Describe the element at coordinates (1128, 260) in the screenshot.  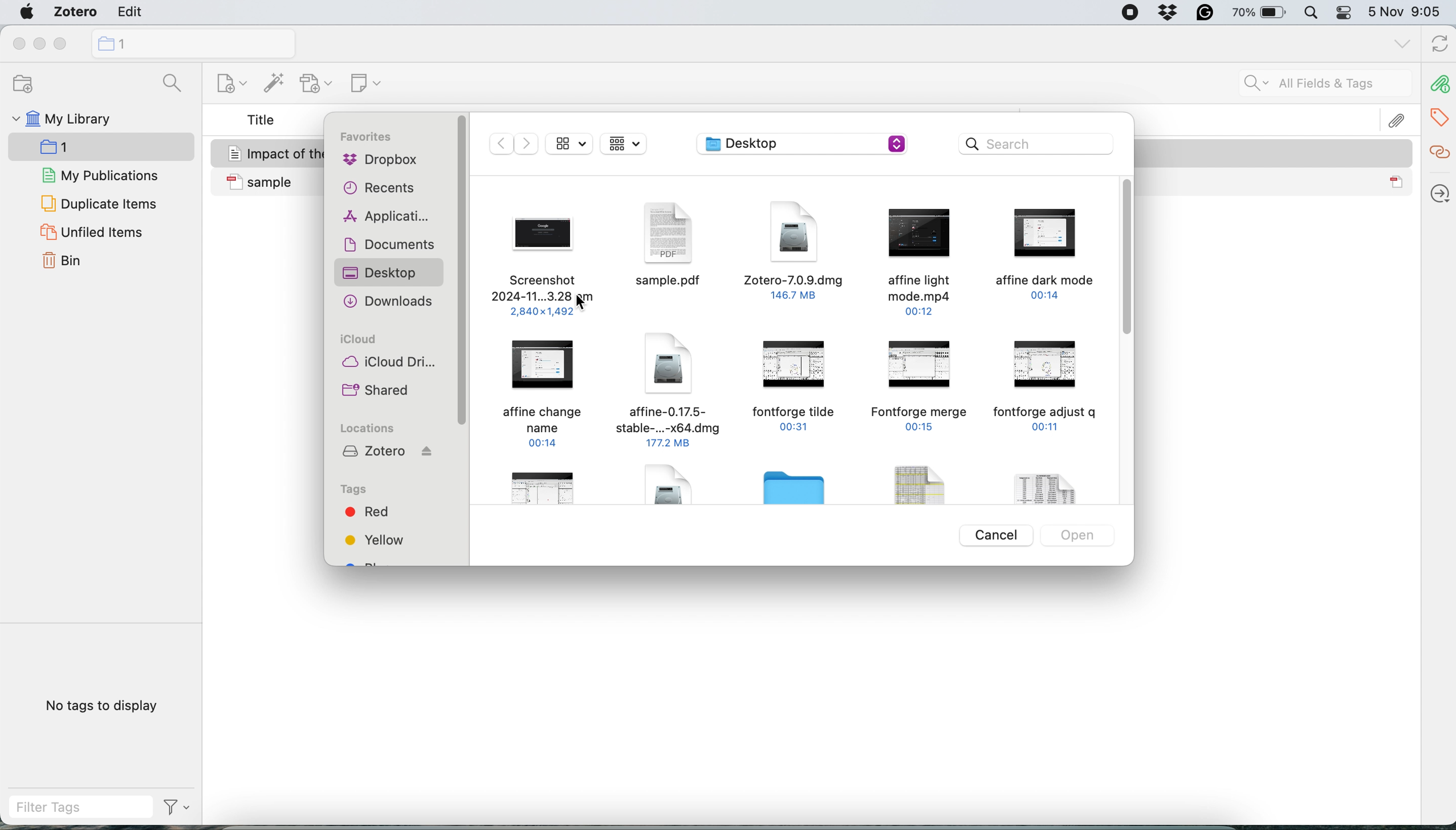
I see `vertical scroll bar` at that location.